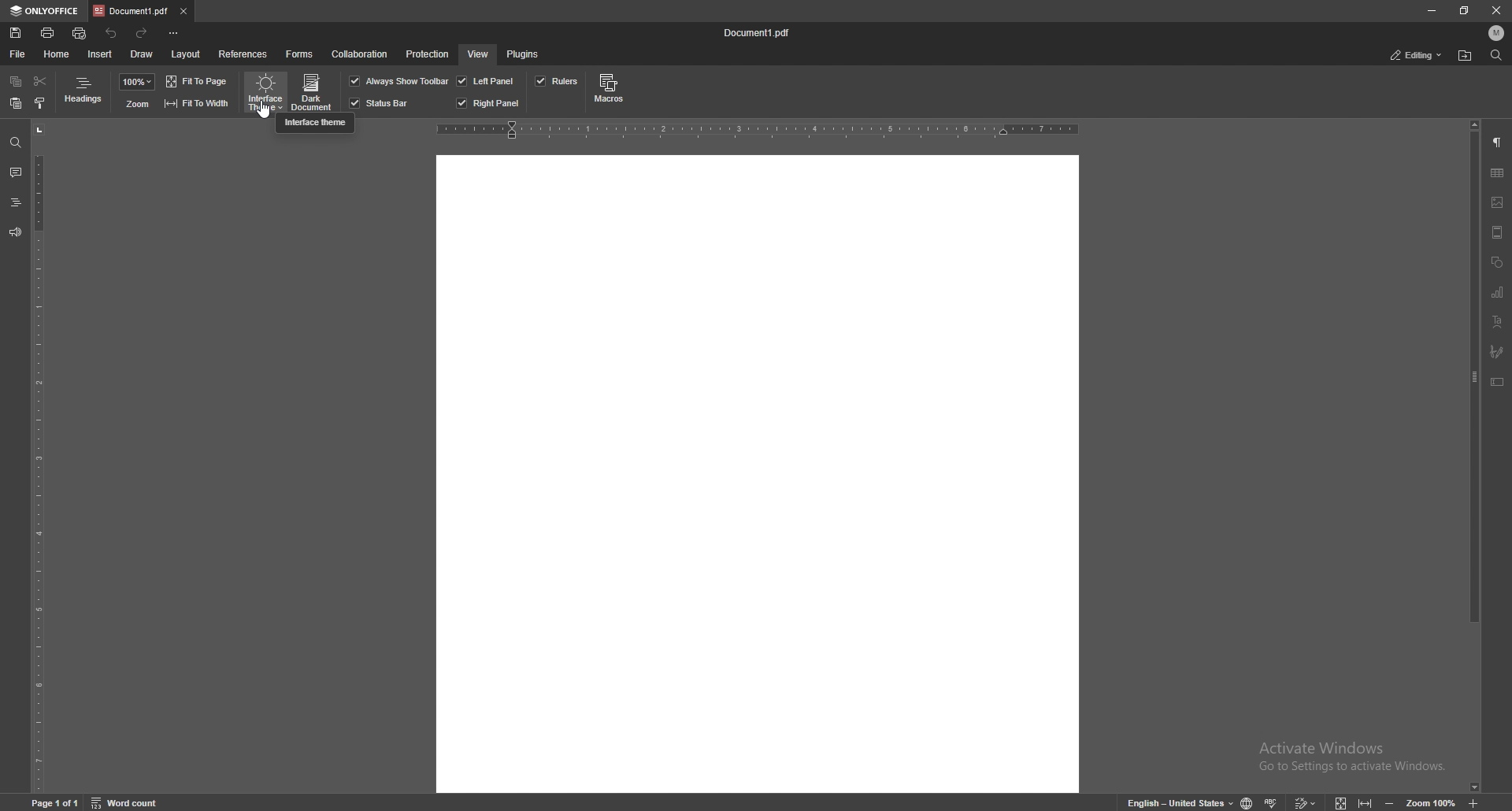 The image size is (1512, 811). Describe the element at coordinates (1433, 803) in the screenshot. I see `zoom` at that location.